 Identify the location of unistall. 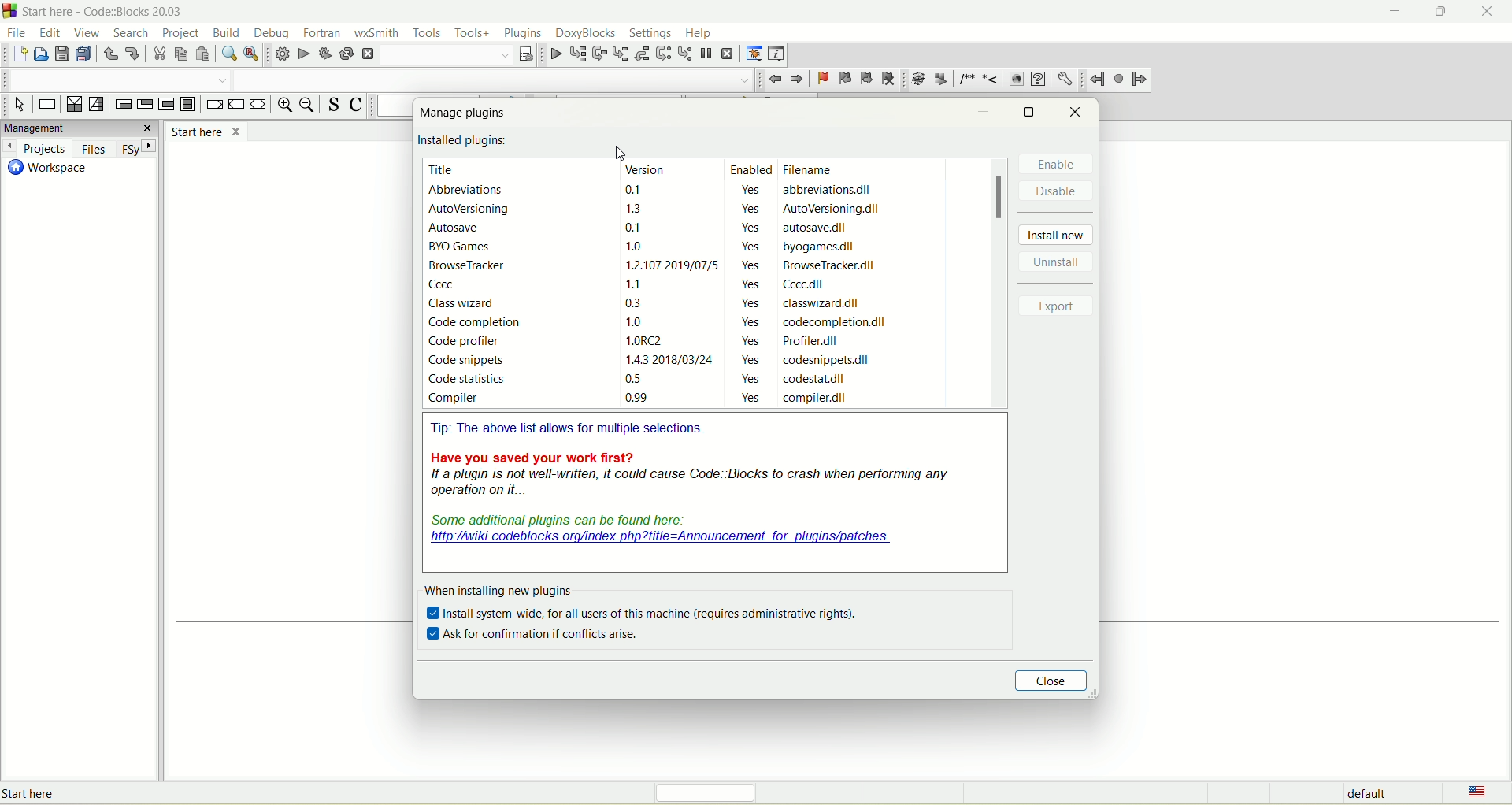
(1057, 262).